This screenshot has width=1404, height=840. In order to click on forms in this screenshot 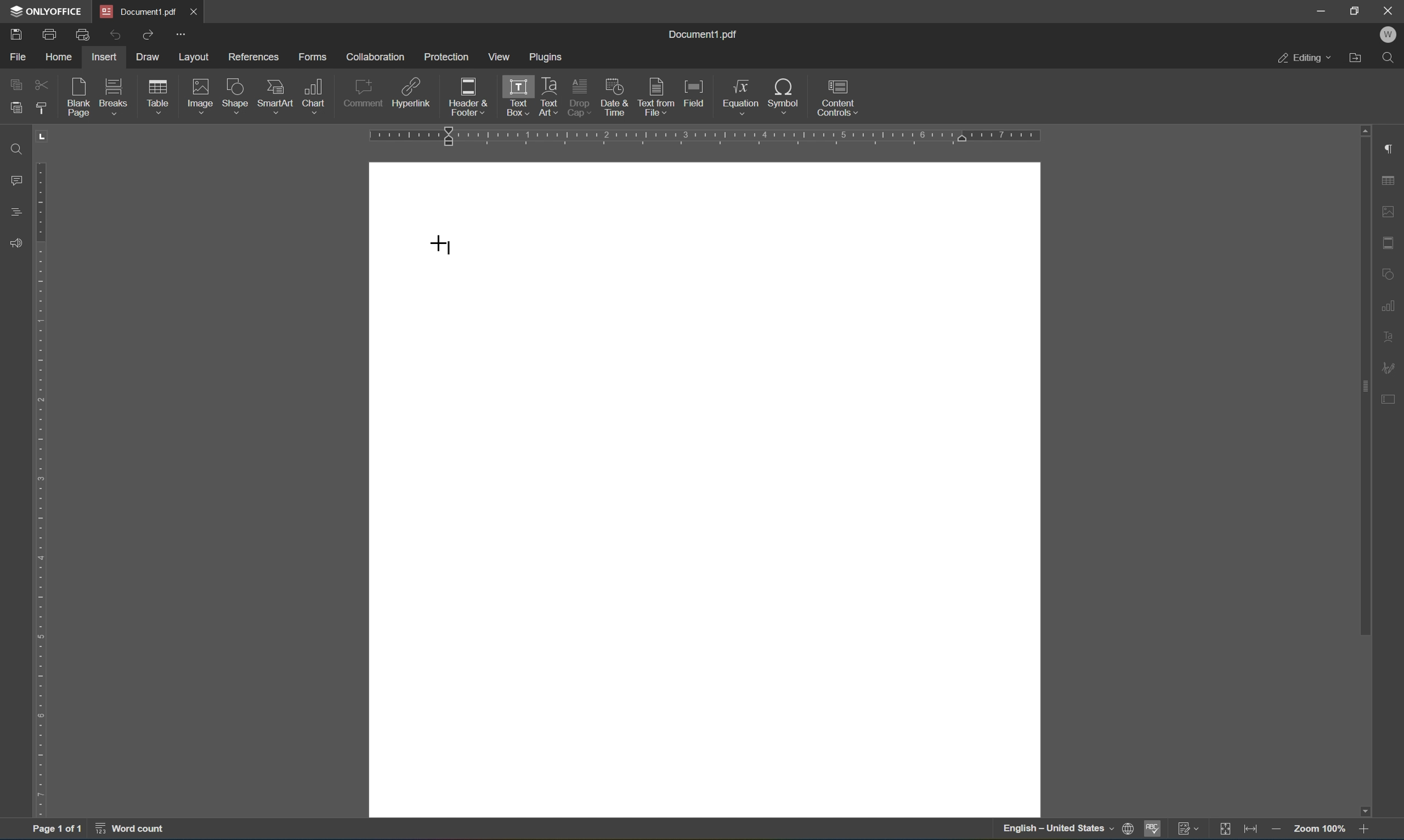, I will do `click(313, 57)`.